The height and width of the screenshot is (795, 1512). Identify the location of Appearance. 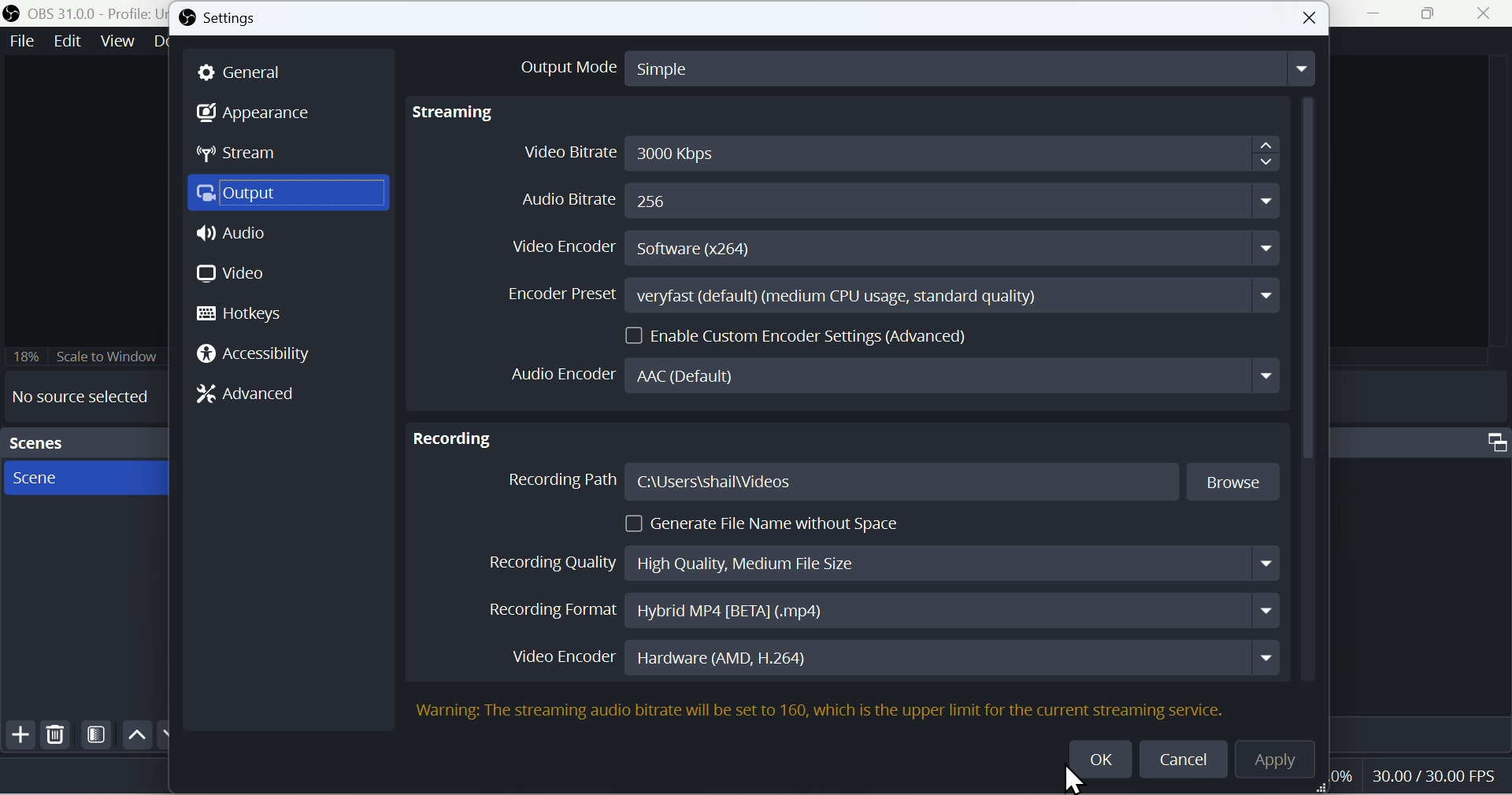
(265, 115).